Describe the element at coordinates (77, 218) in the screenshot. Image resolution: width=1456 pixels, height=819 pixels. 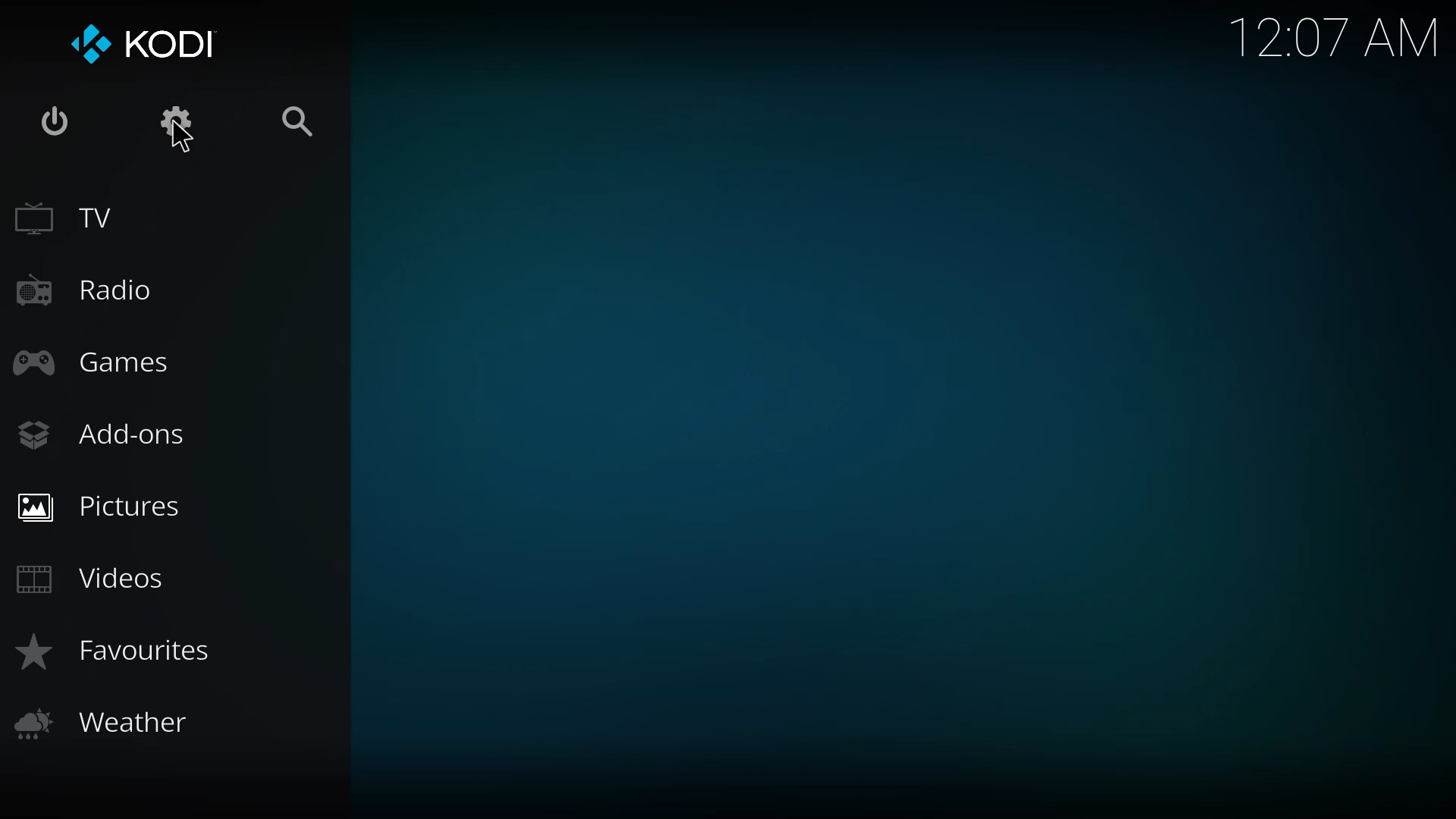
I see `tv` at that location.